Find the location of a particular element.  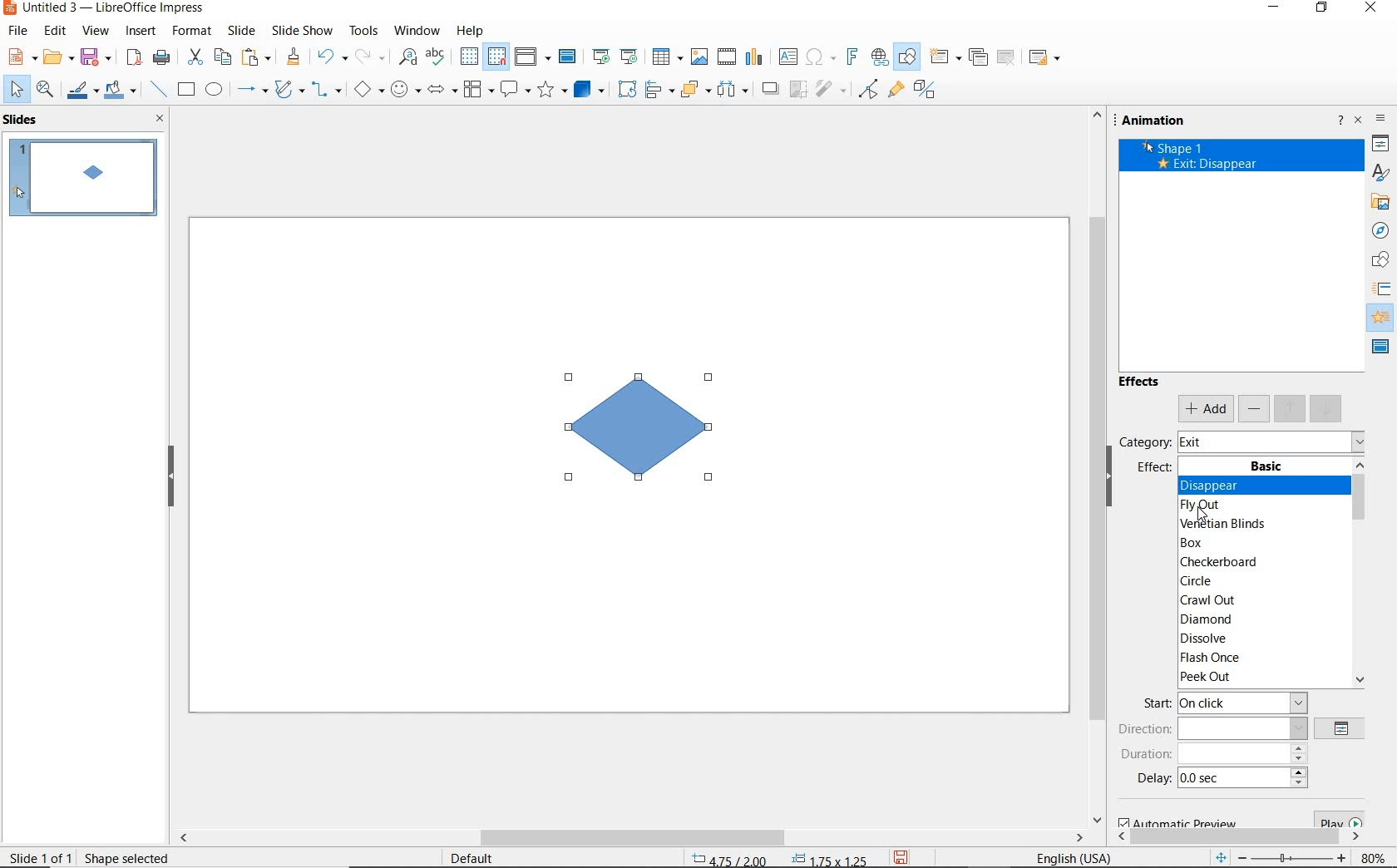

basic shapes is located at coordinates (368, 89).